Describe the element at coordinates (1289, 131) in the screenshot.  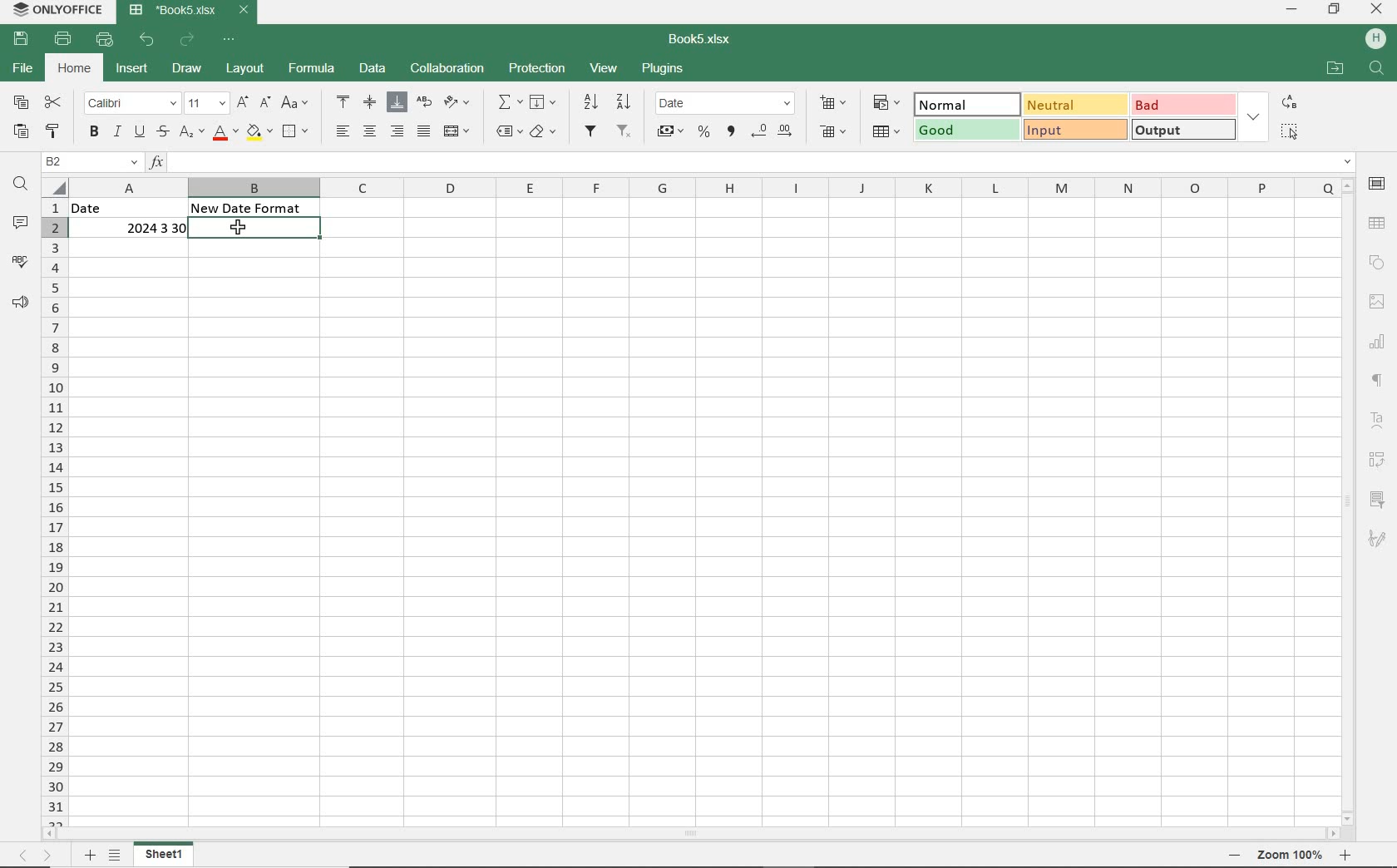
I see `SELECT ALL` at that location.